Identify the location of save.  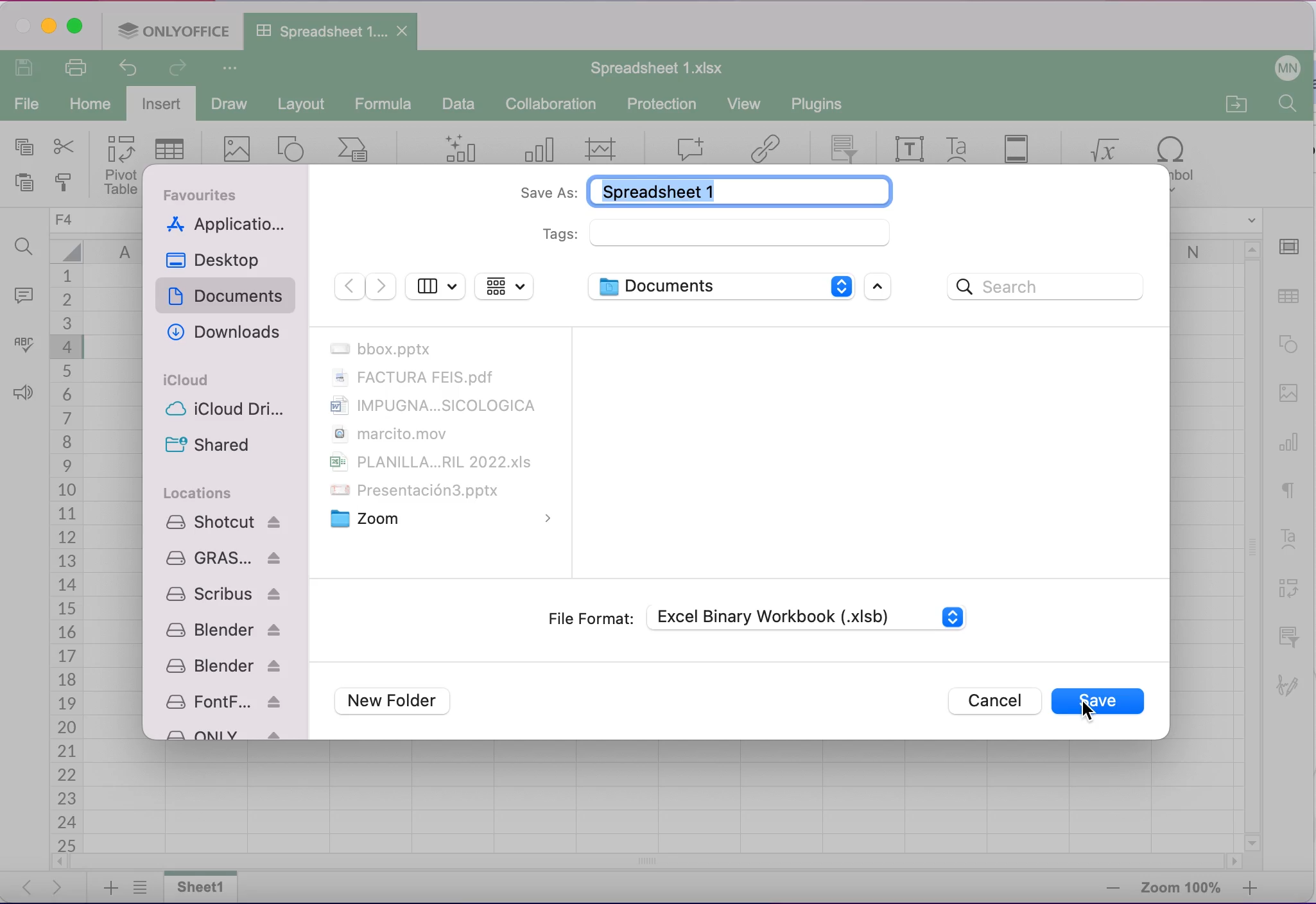
(1100, 704).